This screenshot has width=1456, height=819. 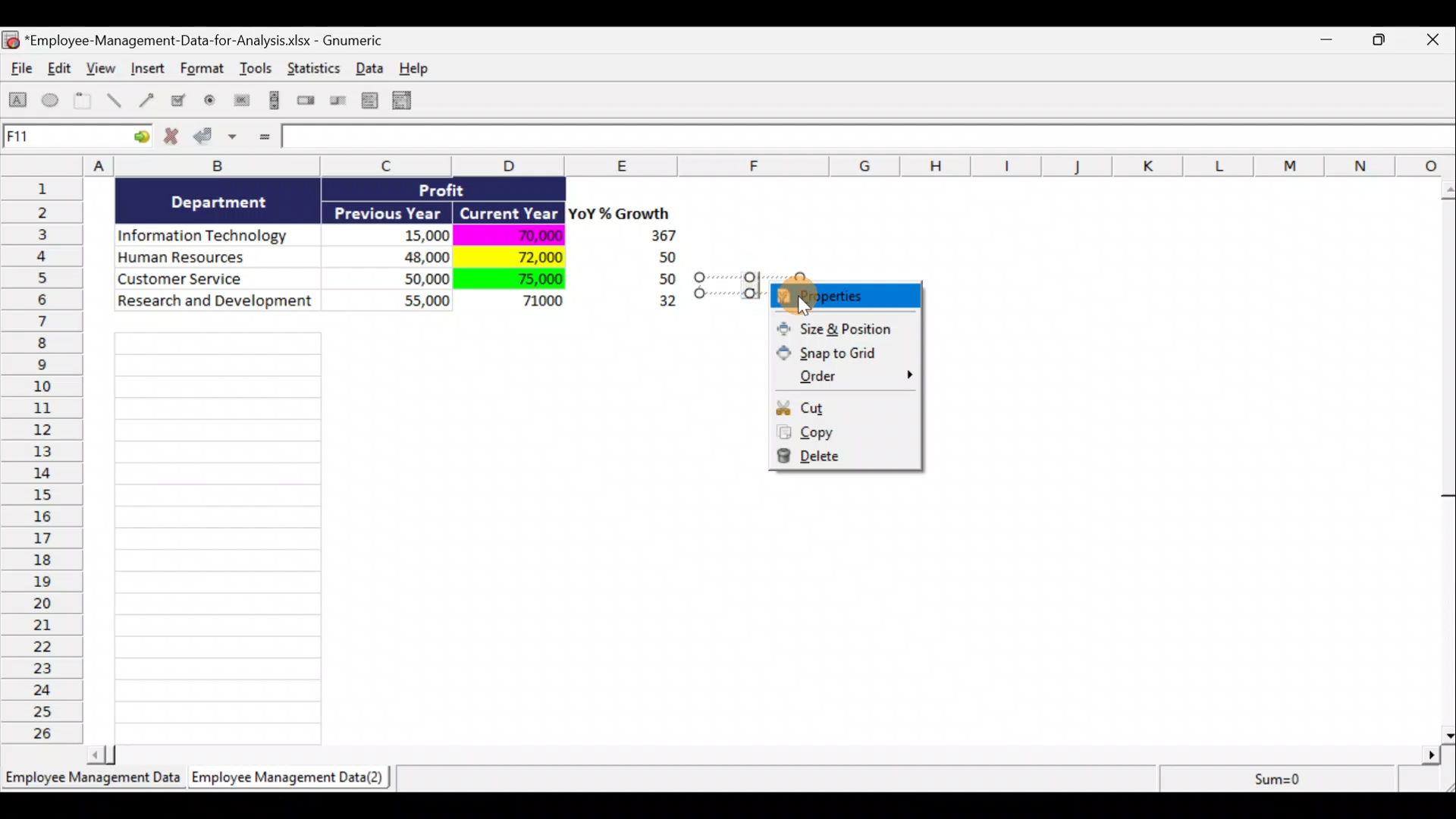 What do you see at coordinates (179, 100) in the screenshot?
I see `Create a checkbox` at bounding box center [179, 100].